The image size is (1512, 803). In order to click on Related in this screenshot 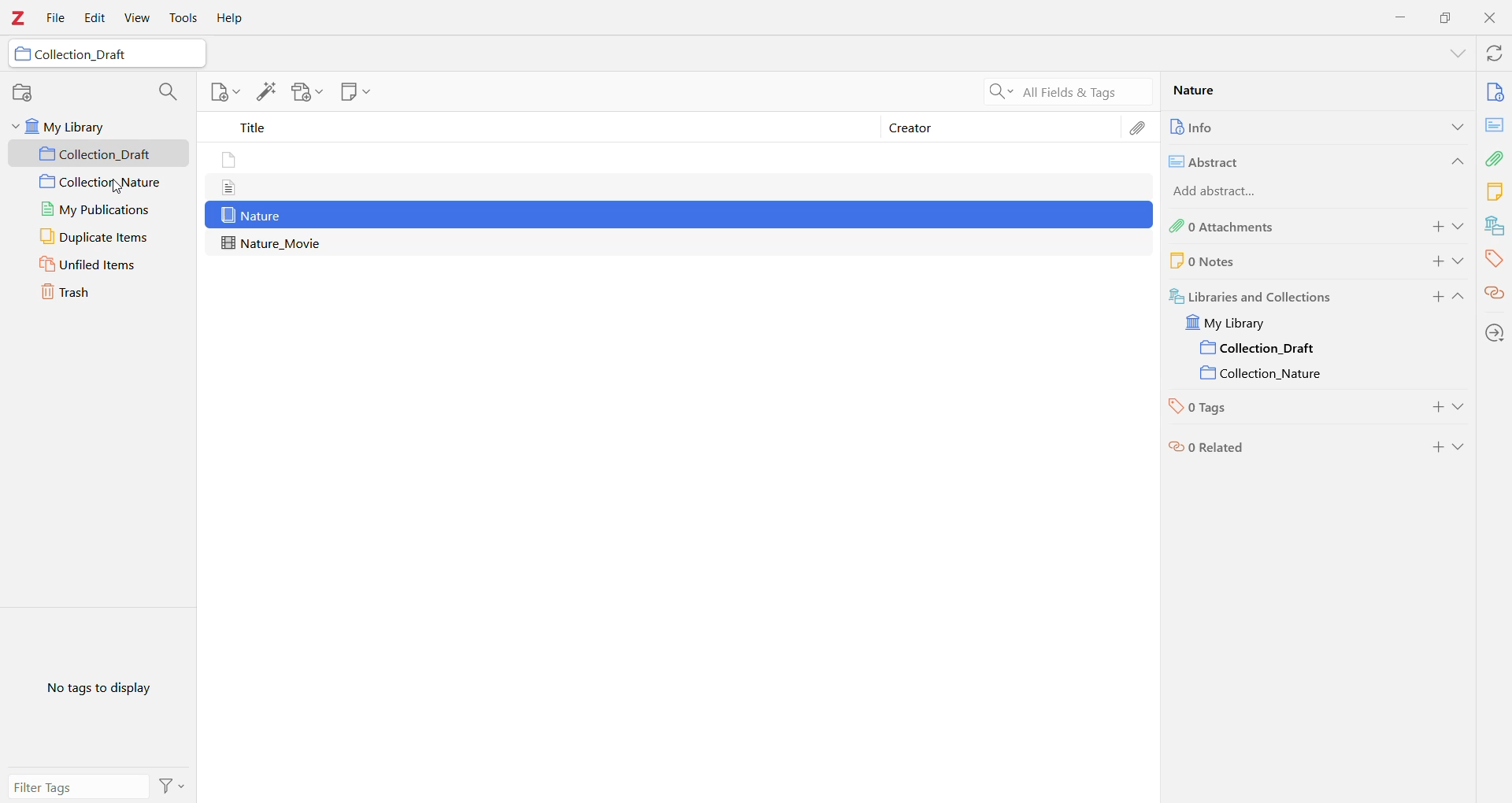, I will do `click(1495, 292)`.